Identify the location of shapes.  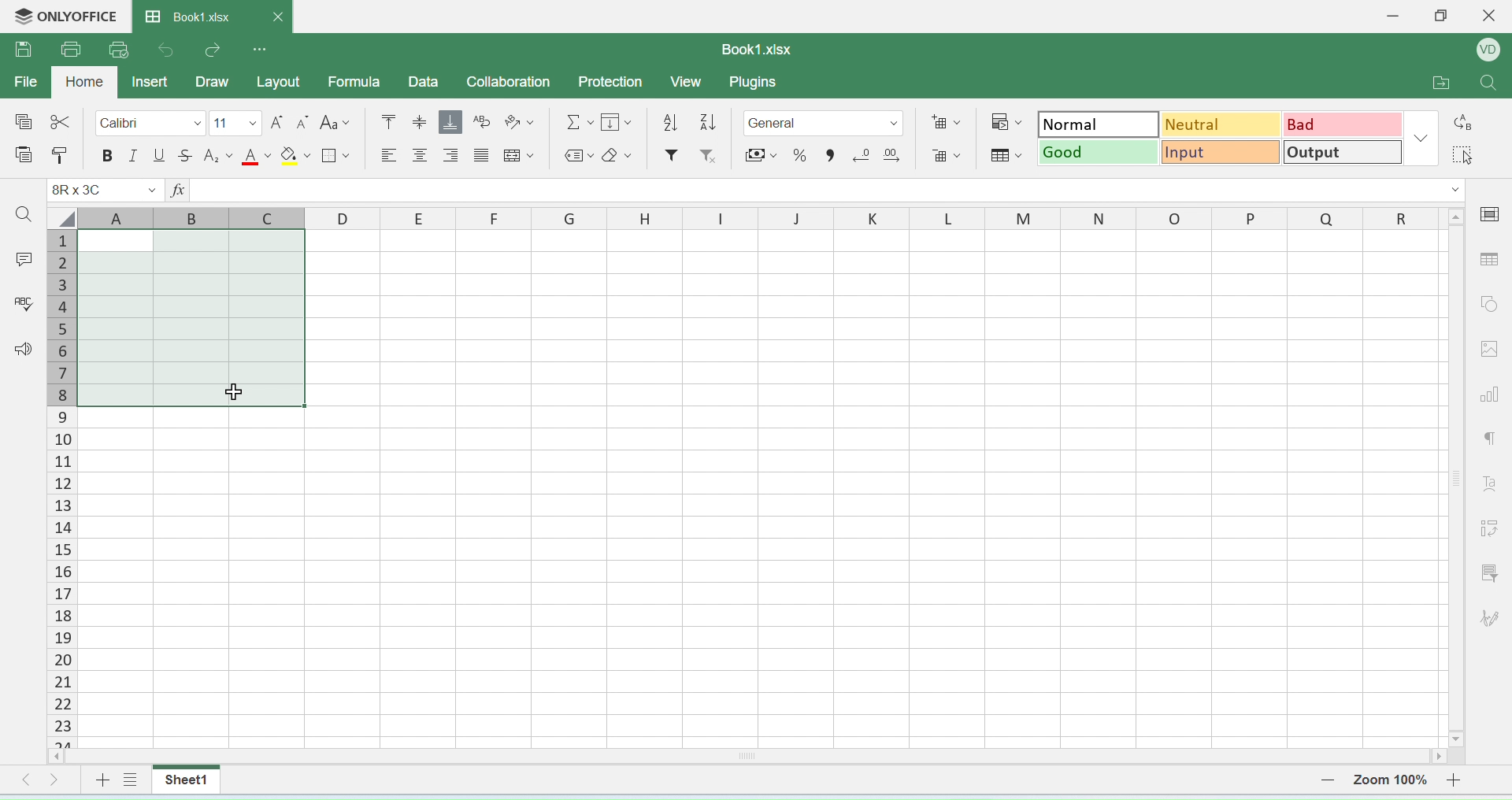
(1490, 302).